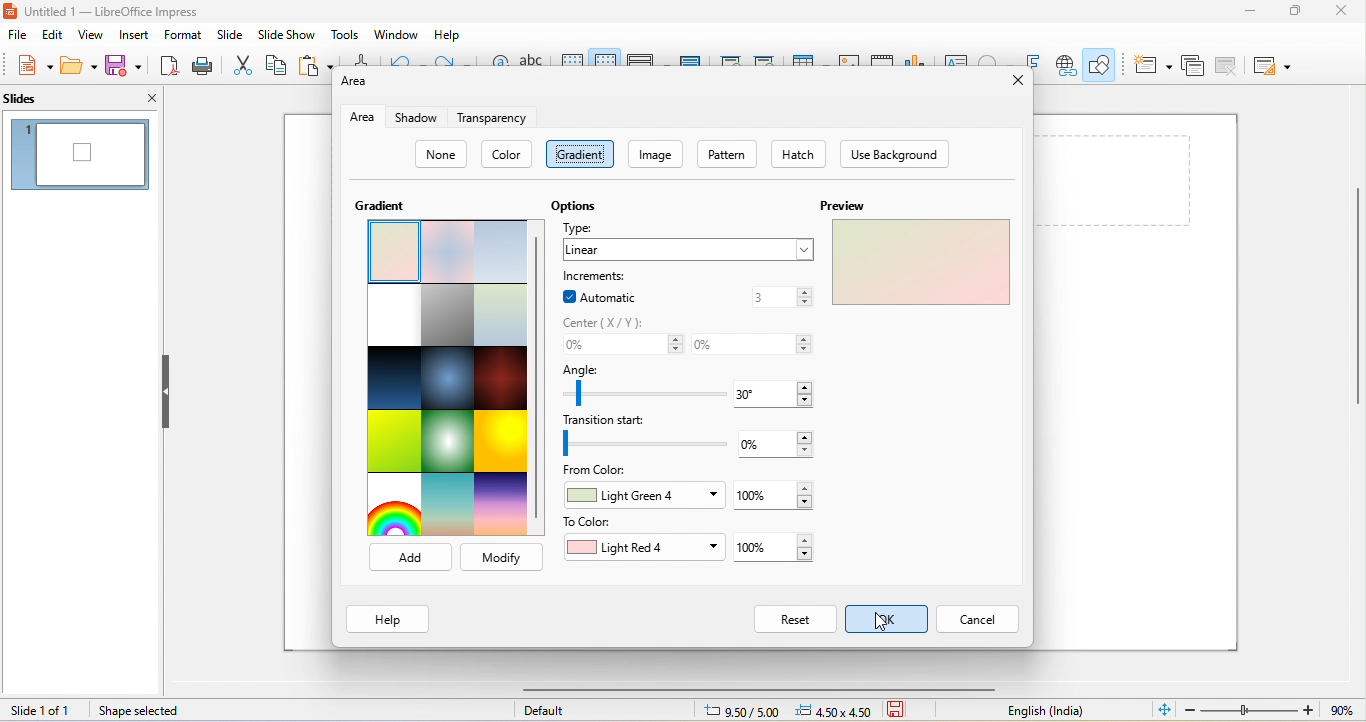  I want to click on linear, so click(690, 251).